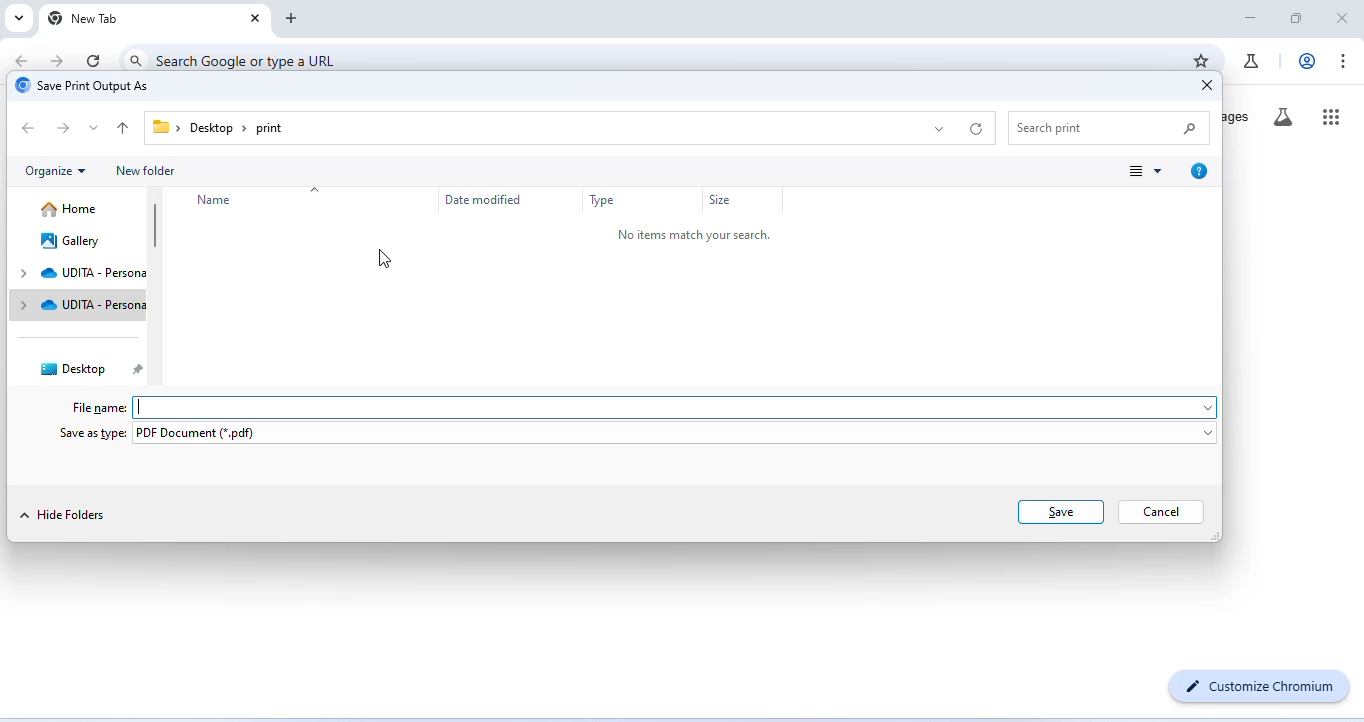  I want to click on next, so click(66, 129).